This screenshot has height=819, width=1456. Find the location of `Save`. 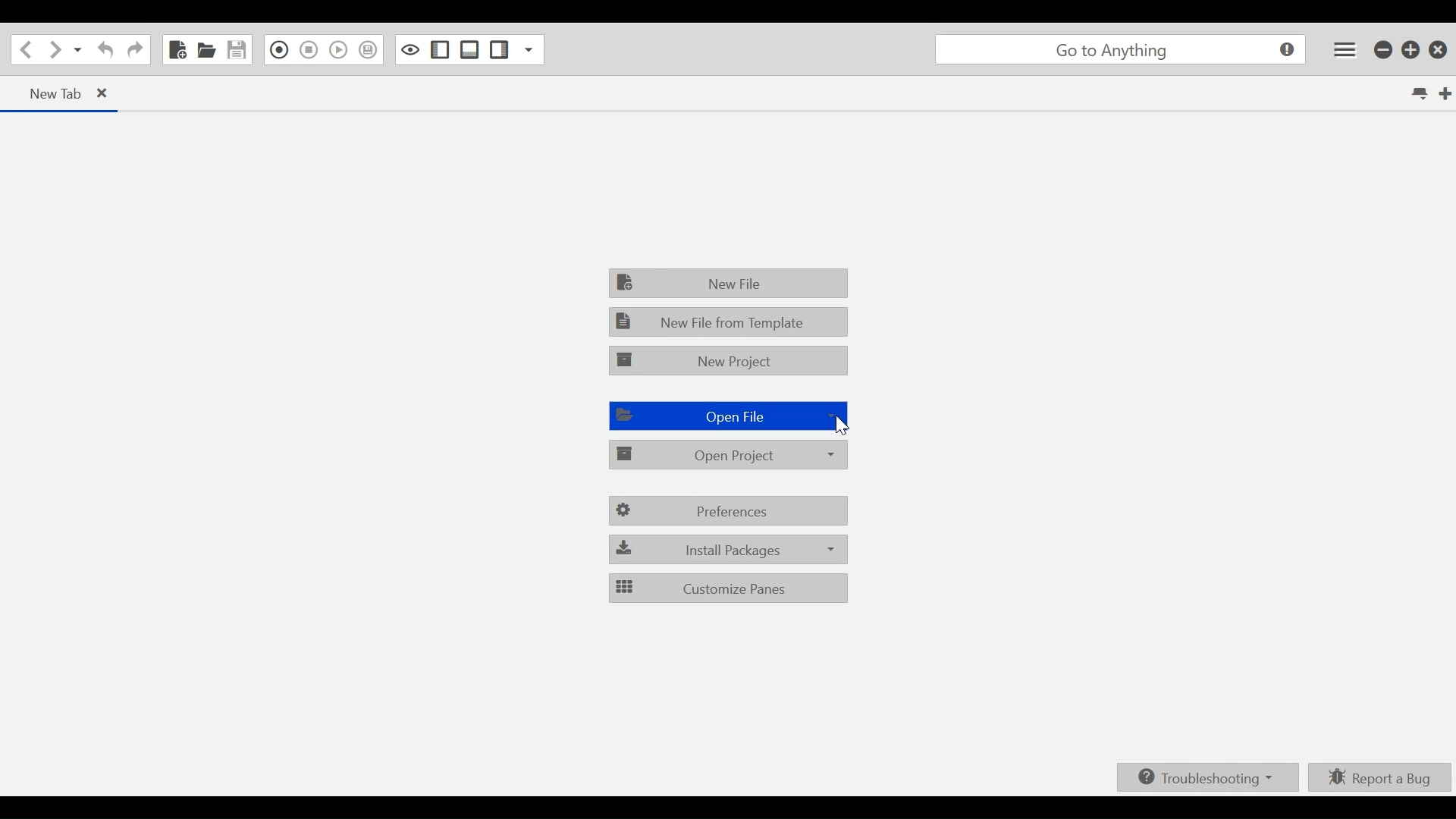

Save is located at coordinates (237, 49).